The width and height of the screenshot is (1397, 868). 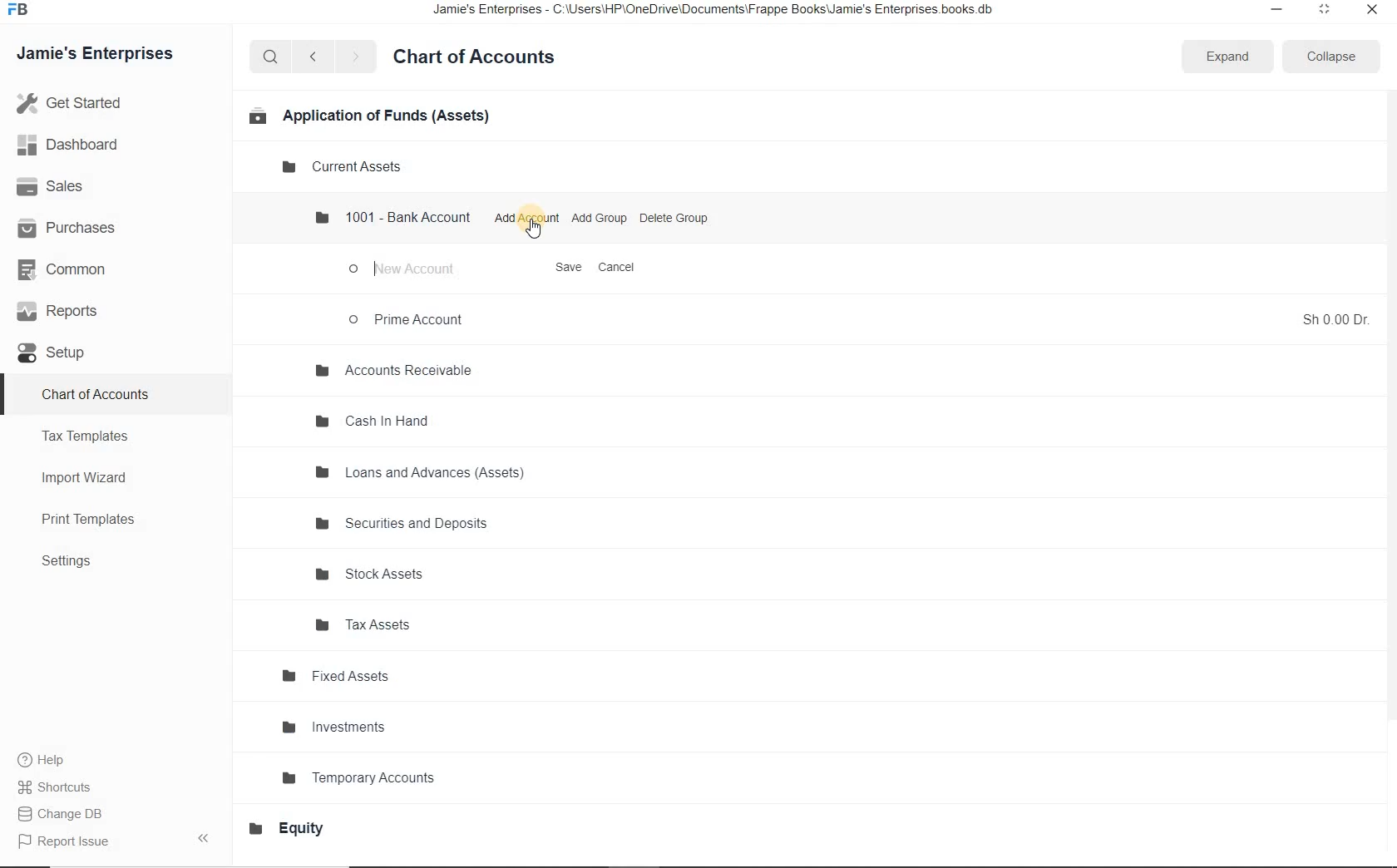 I want to click on Import Wizard, so click(x=92, y=476).